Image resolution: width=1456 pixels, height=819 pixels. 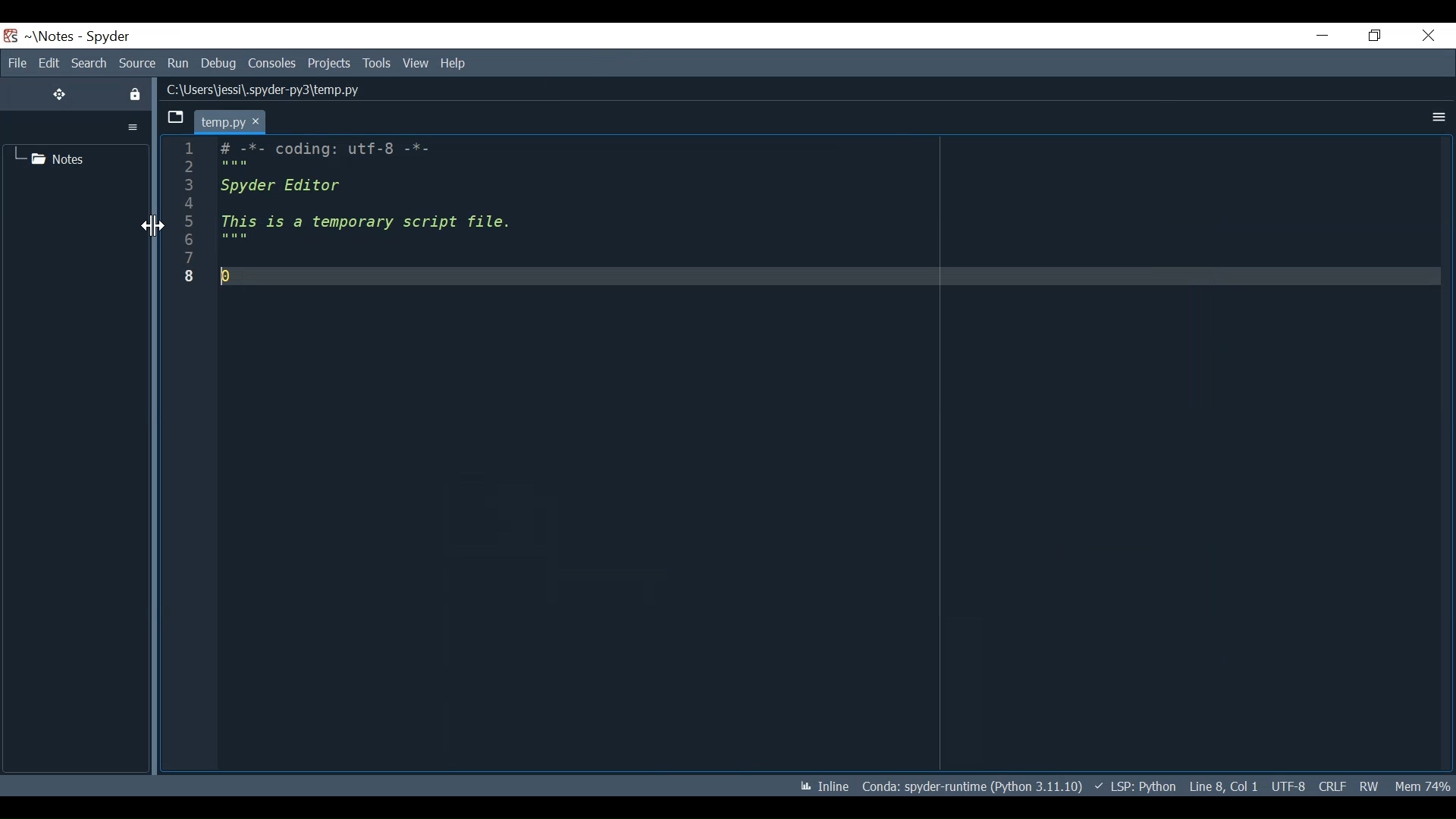 What do you see at coordinates (1369, 783) in the screenshot?
I see `RW` at bounding box center [1369, 783].